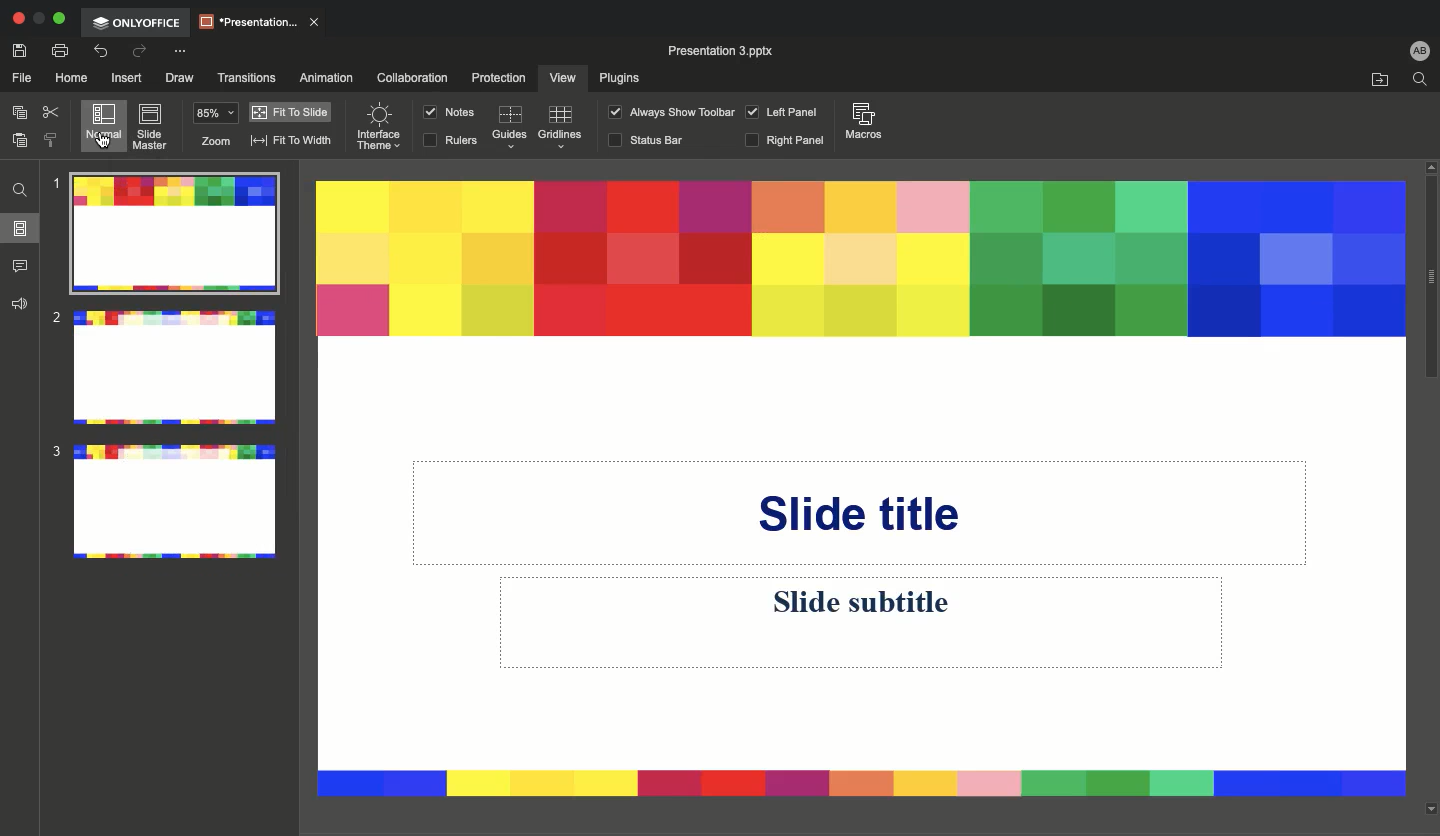  What do you see at coordinates (1418, 49) in the screenshot?
I see `User` at bounding box center [1418, 49].